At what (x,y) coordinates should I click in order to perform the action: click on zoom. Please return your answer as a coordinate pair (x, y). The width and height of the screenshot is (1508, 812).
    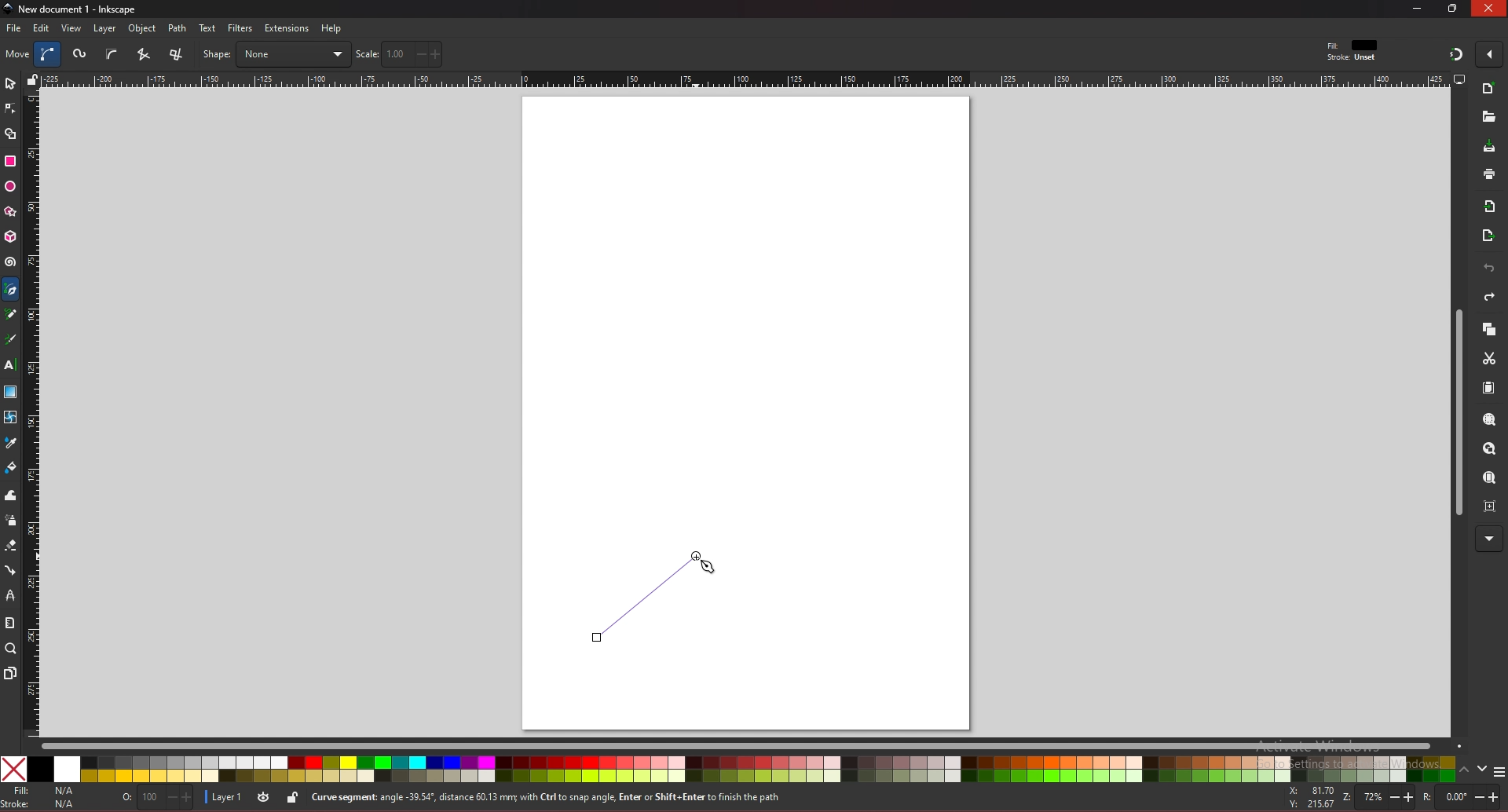
    Looking at the image, I should click on (1376, 798).